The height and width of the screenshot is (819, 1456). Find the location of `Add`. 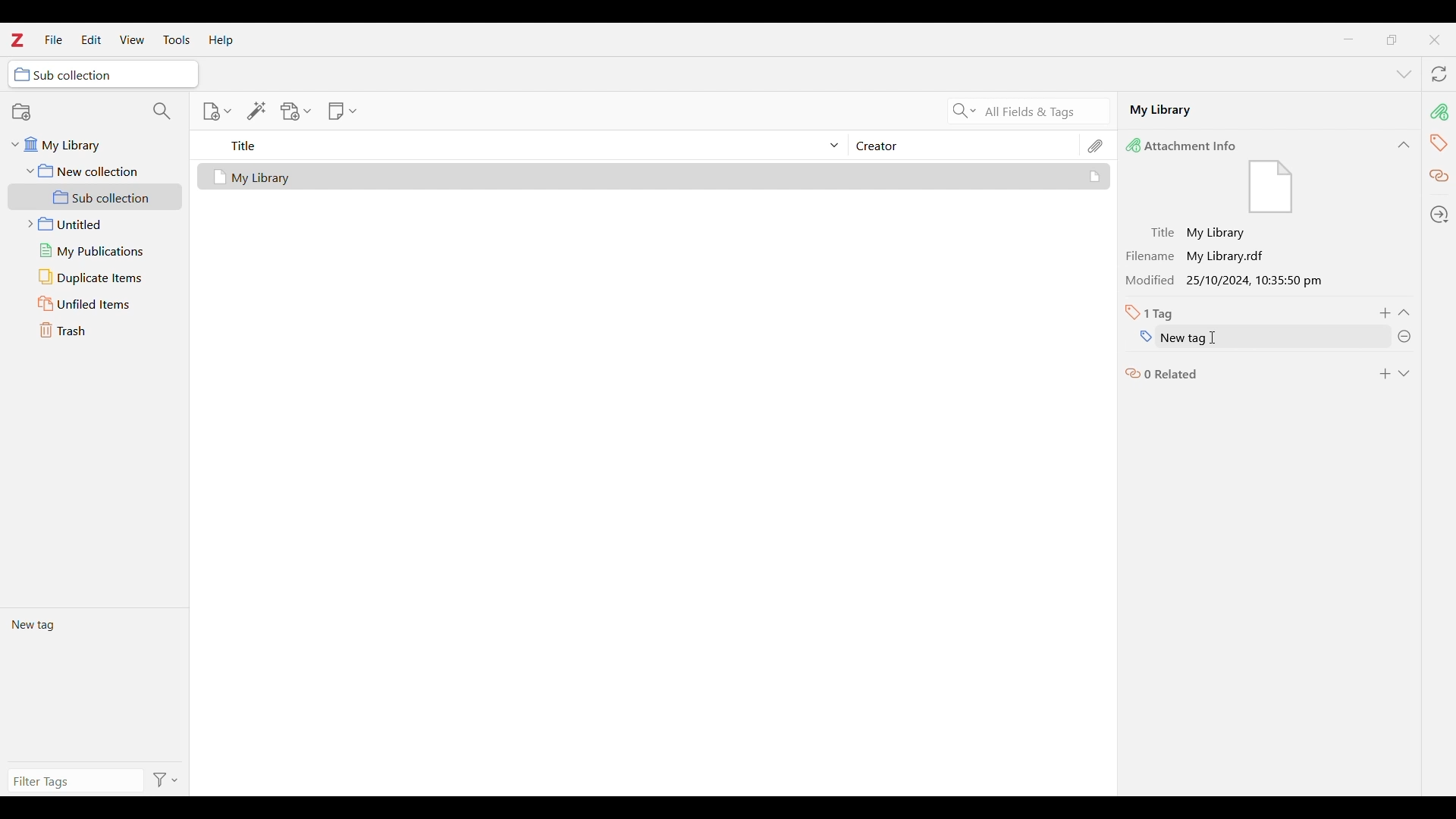

Add is located at coordinates (1385, 374).